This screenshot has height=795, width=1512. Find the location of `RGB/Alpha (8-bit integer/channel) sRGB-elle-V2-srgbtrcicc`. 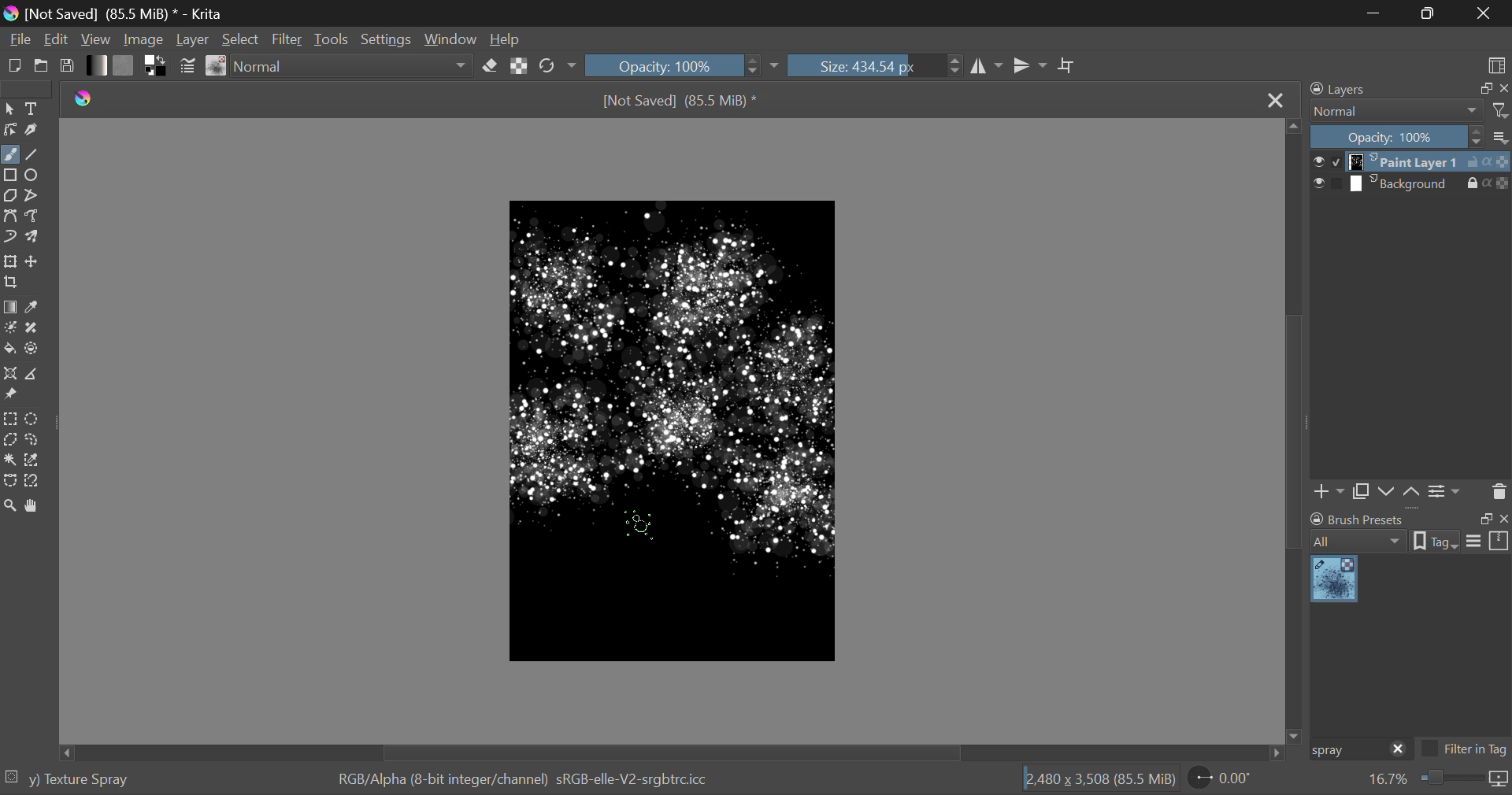

RGB/Alpha (8-bit integer/channel) sRGB-elle-V2-srgbtrcicc is located at coordinates (524, 780).